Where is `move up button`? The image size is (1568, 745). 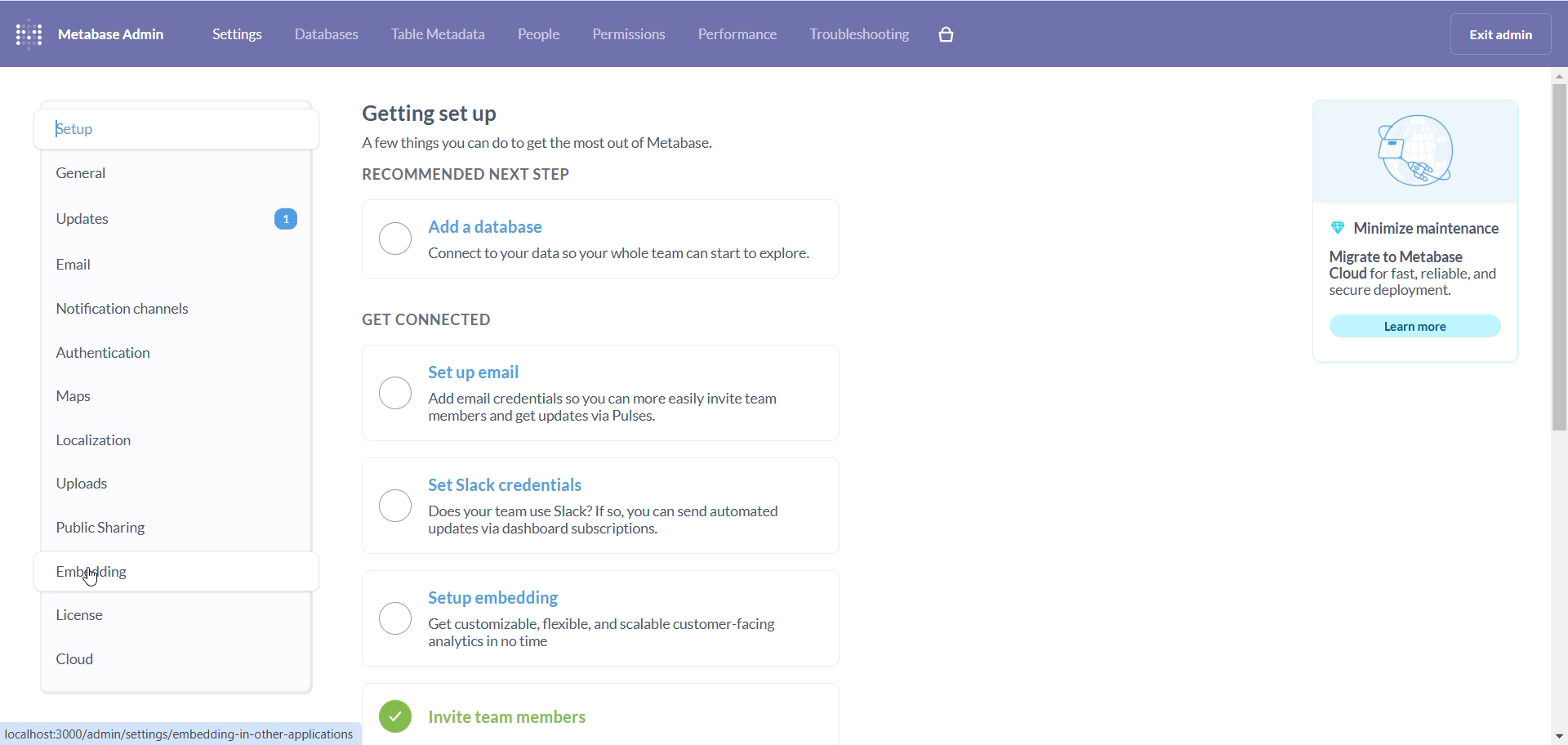 move up button is located at coordinates (1558, 75).